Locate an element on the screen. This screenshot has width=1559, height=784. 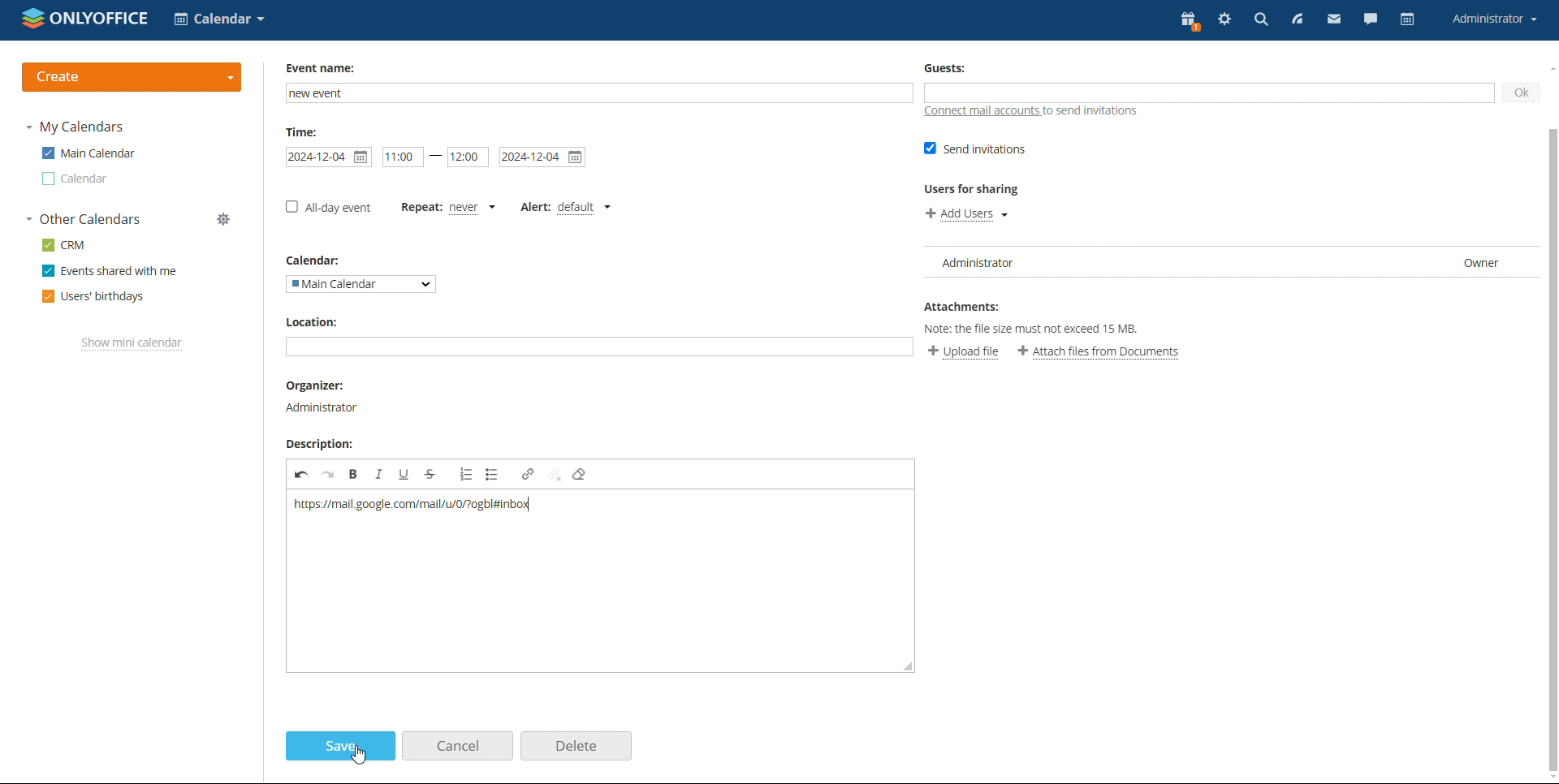
undo is located at coordinates (303, 476).